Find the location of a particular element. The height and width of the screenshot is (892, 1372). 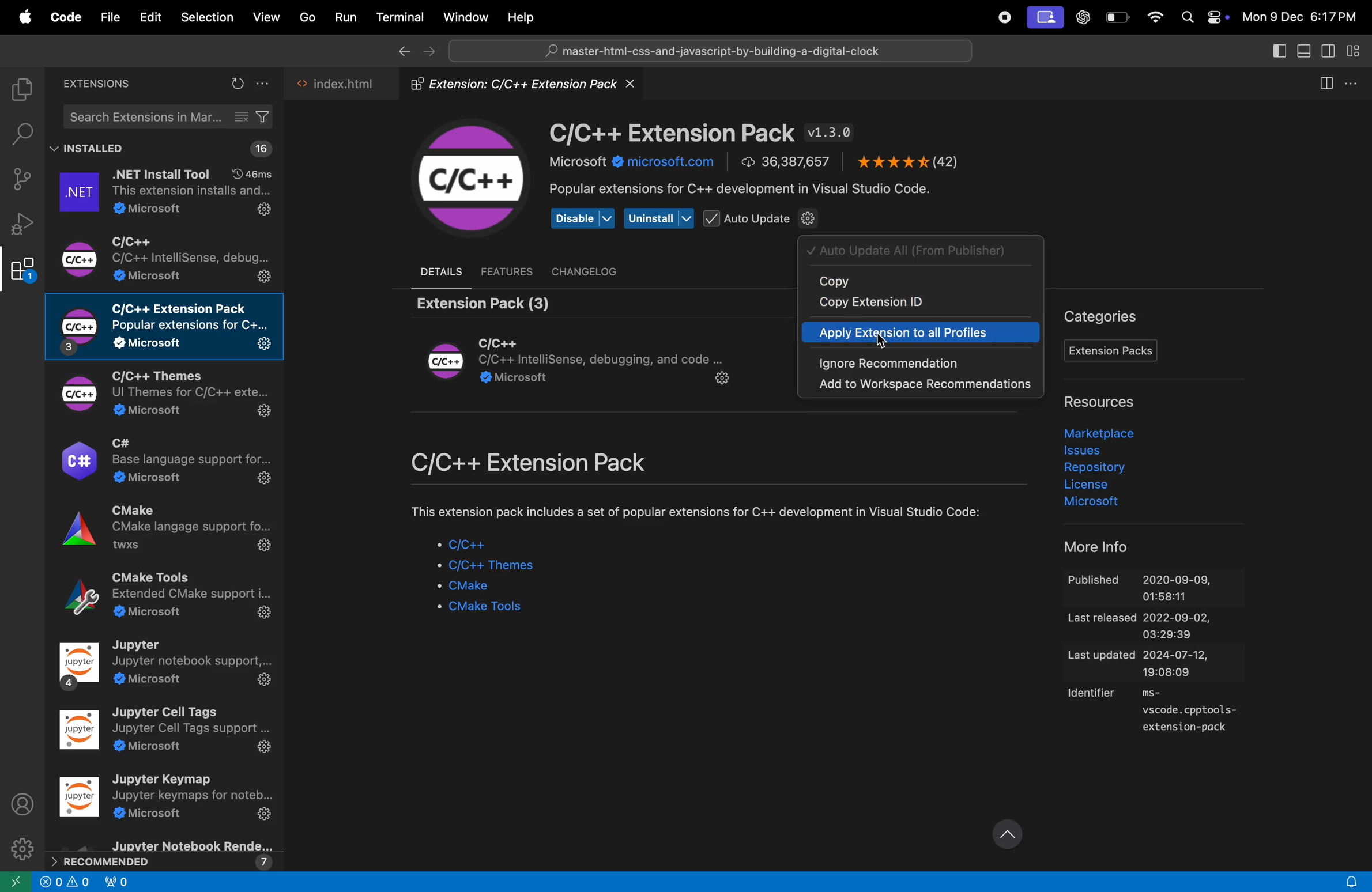

extensions is located at coordinates (97, 85).